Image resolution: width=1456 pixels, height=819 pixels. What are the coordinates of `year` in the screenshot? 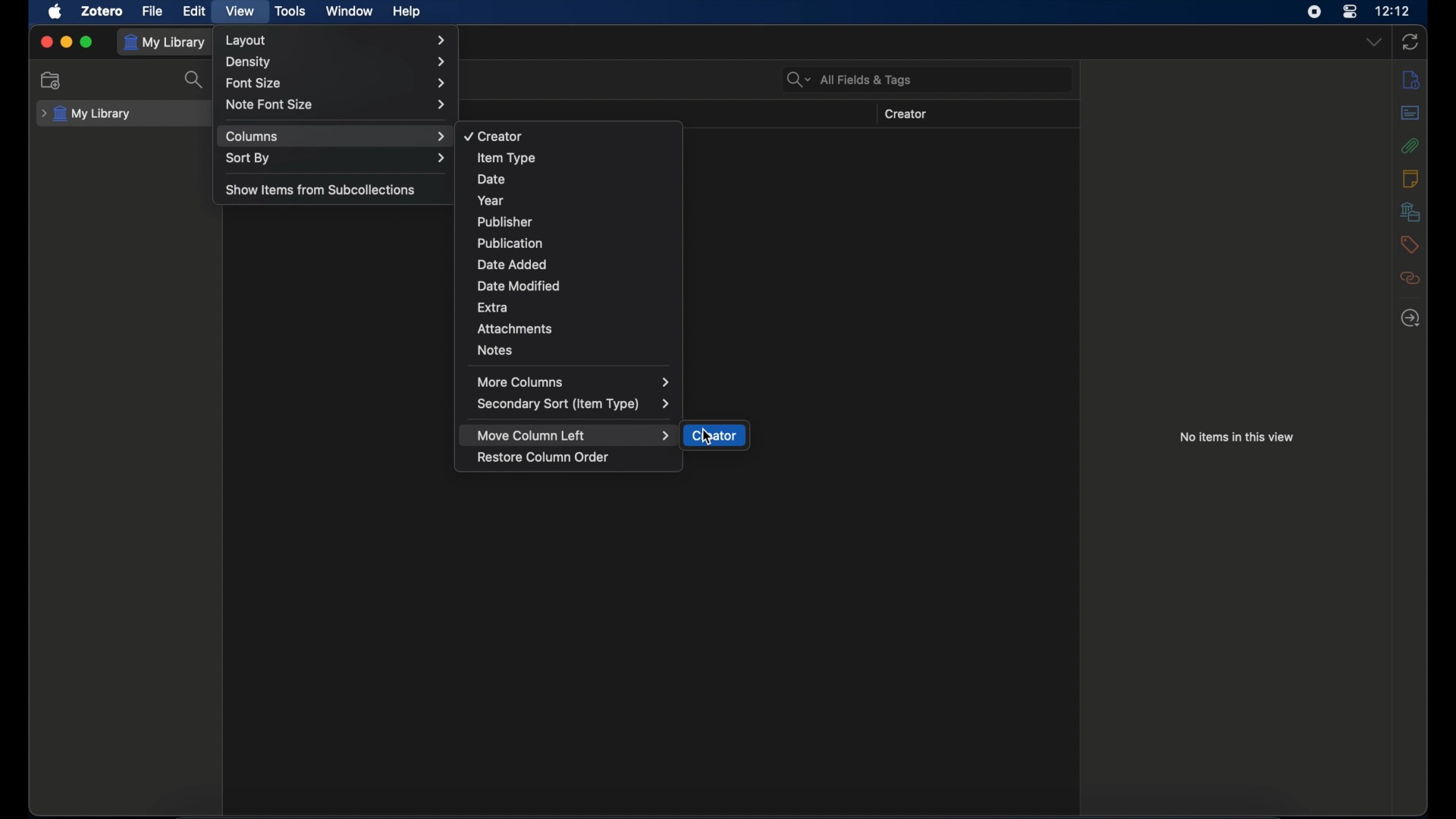 It's located at (488, 200).